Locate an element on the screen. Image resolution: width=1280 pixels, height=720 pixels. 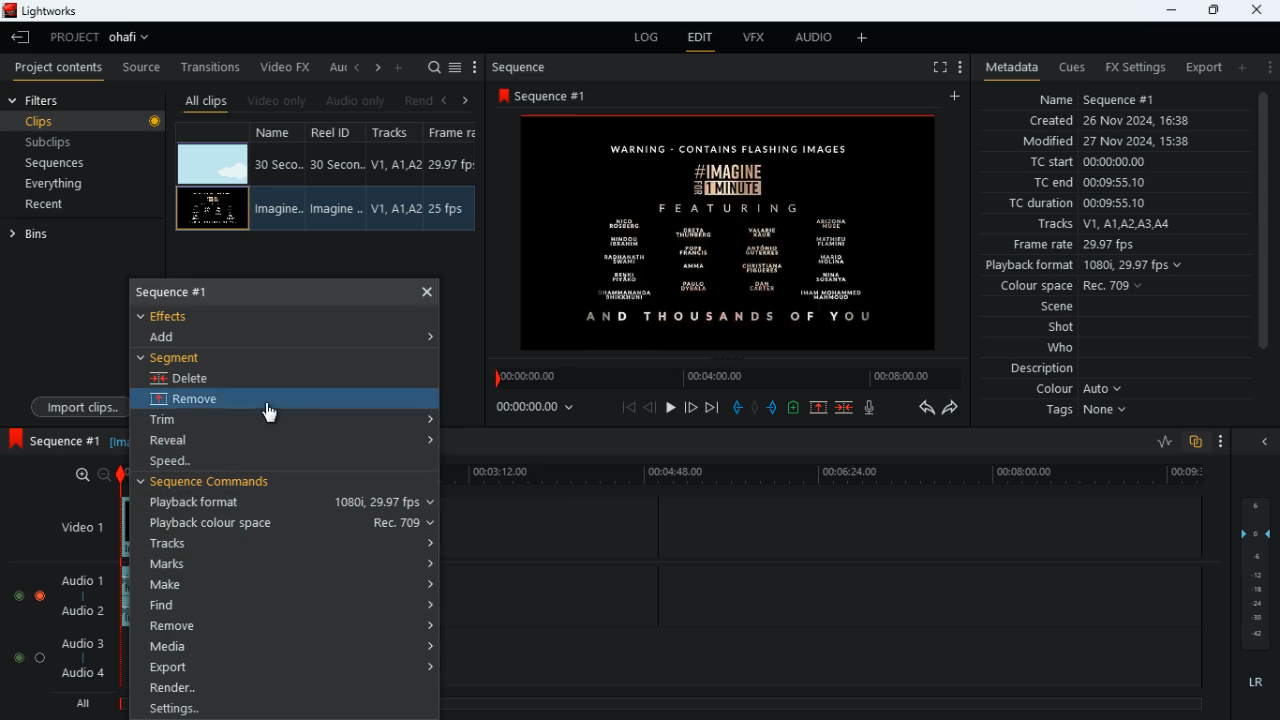
colour is located at coordinates (1070, 389).